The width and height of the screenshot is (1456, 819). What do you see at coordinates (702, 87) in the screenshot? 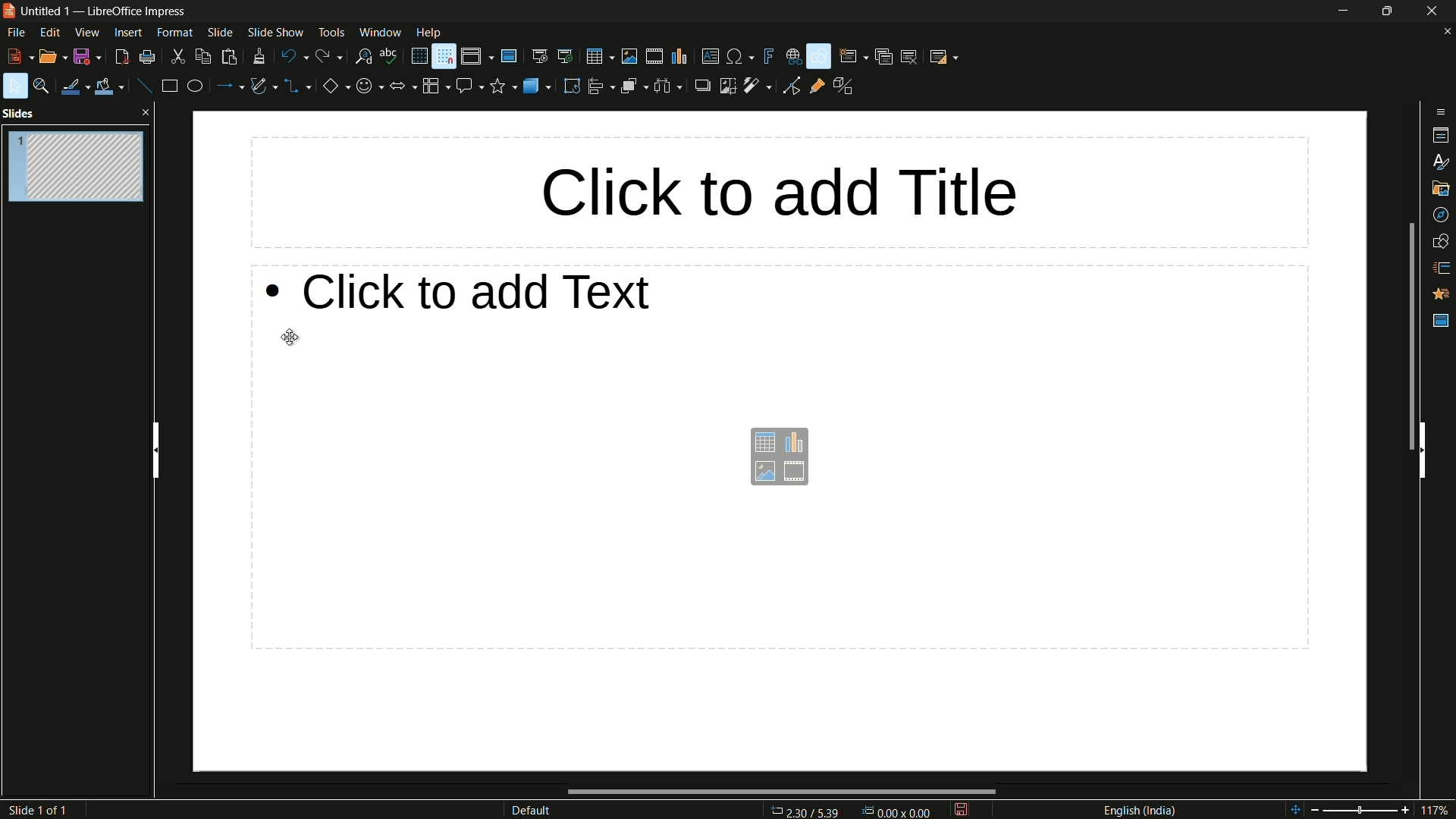
I see `shadow` at bounding box center [702, 87].